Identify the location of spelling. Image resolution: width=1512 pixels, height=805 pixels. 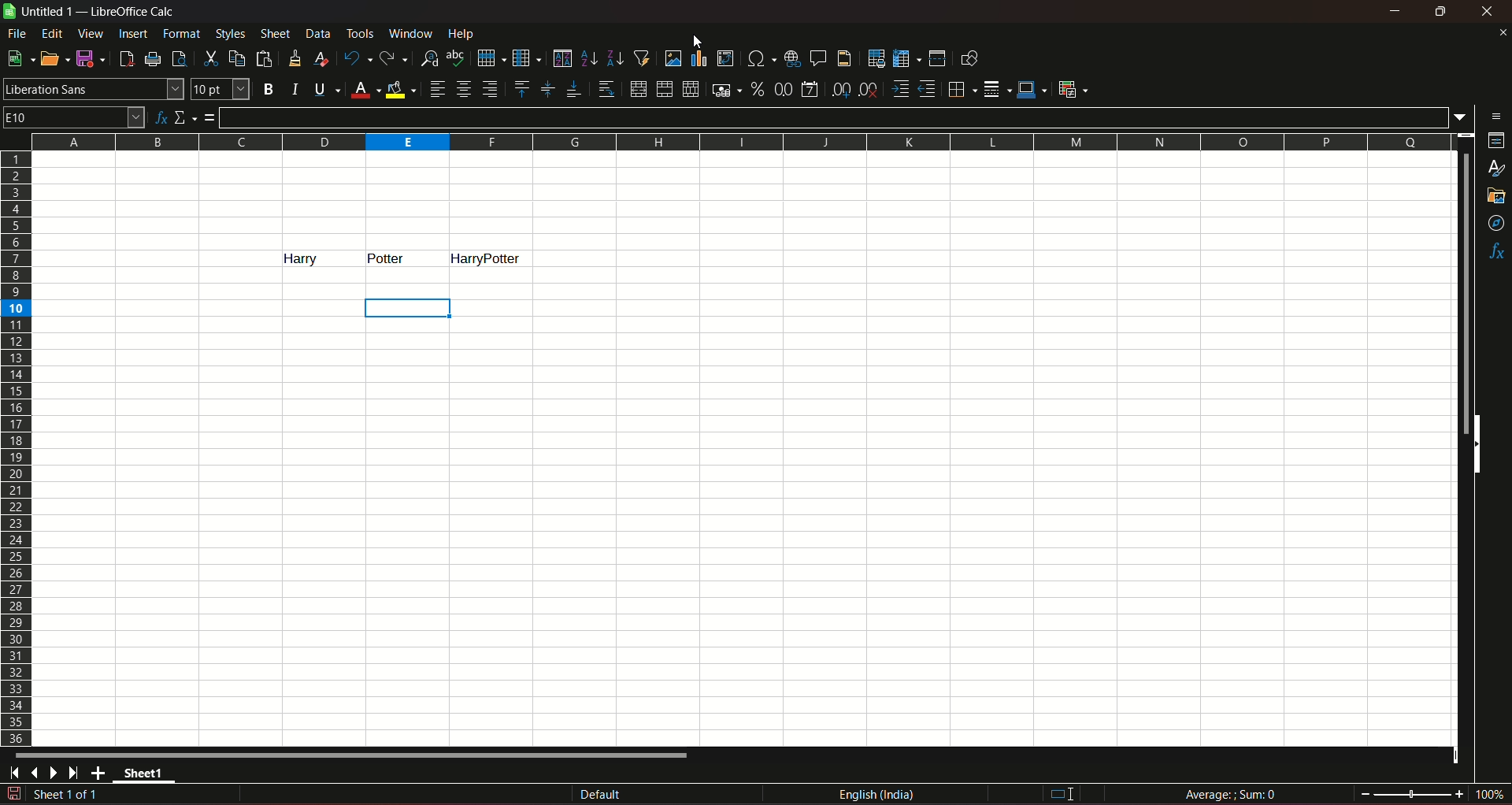
(457, 58).